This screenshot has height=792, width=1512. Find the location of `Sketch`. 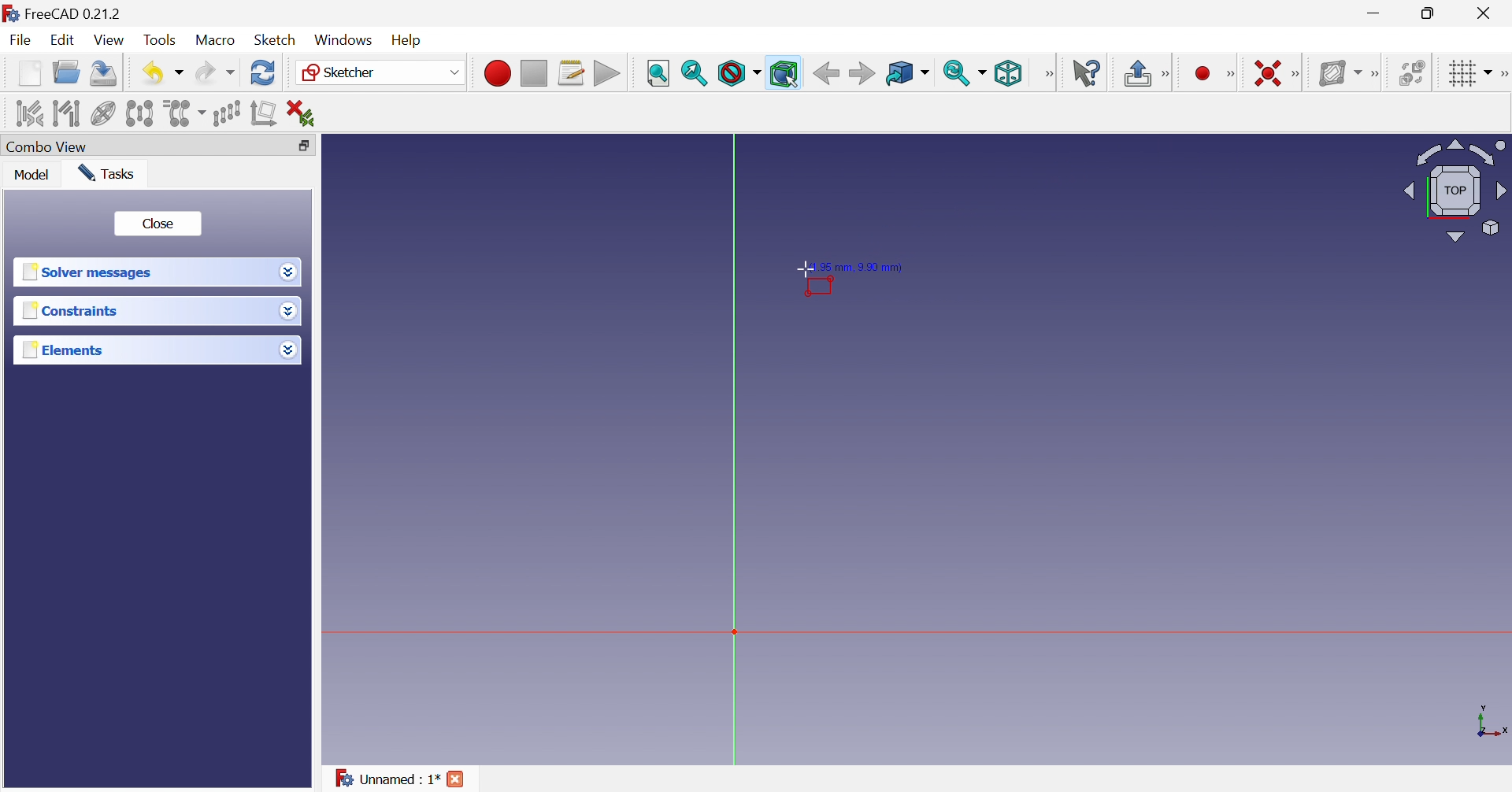

Sketch is located at coordinates (277, 39).